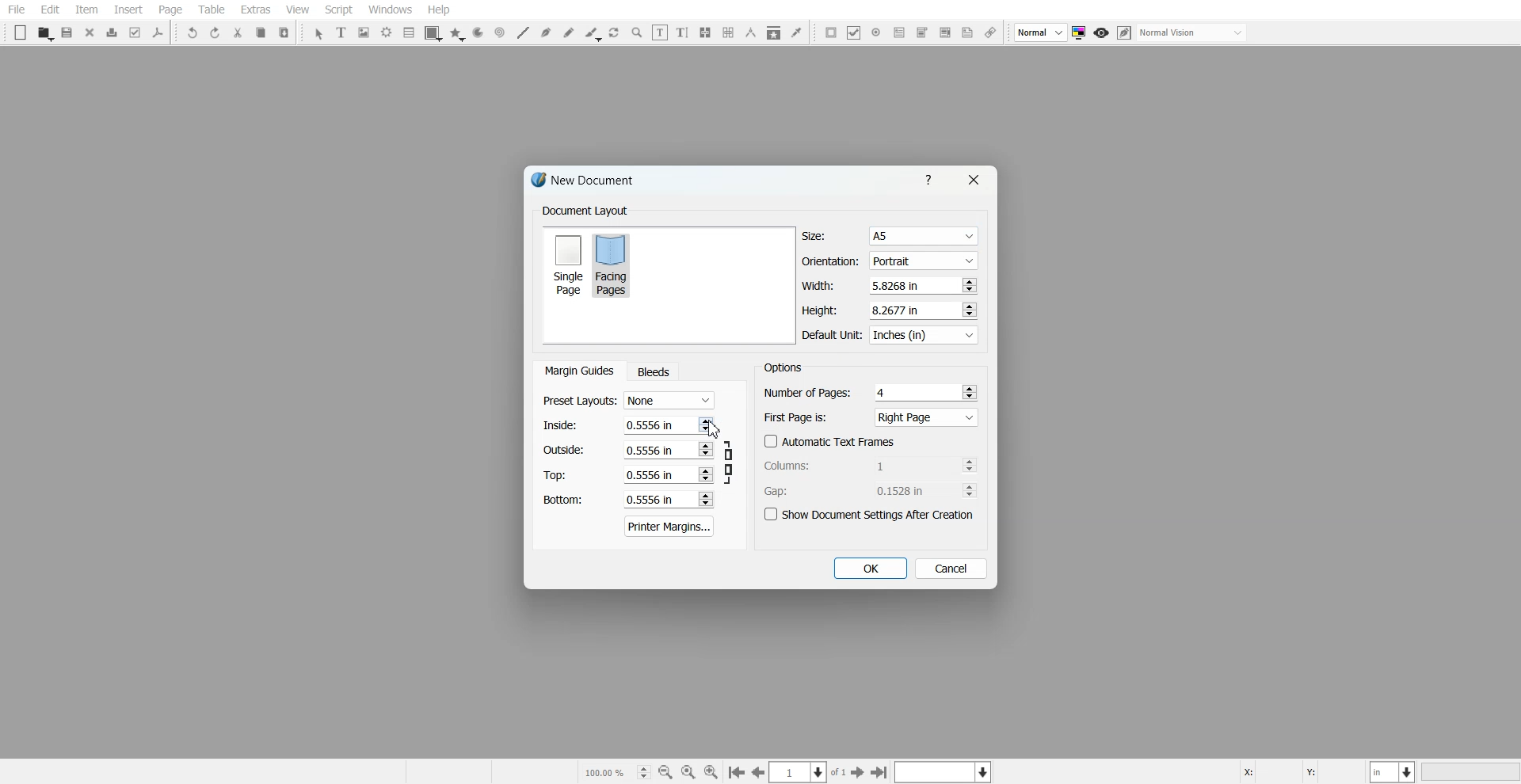  I want to click on Calligraphic line, so click(593, 34).